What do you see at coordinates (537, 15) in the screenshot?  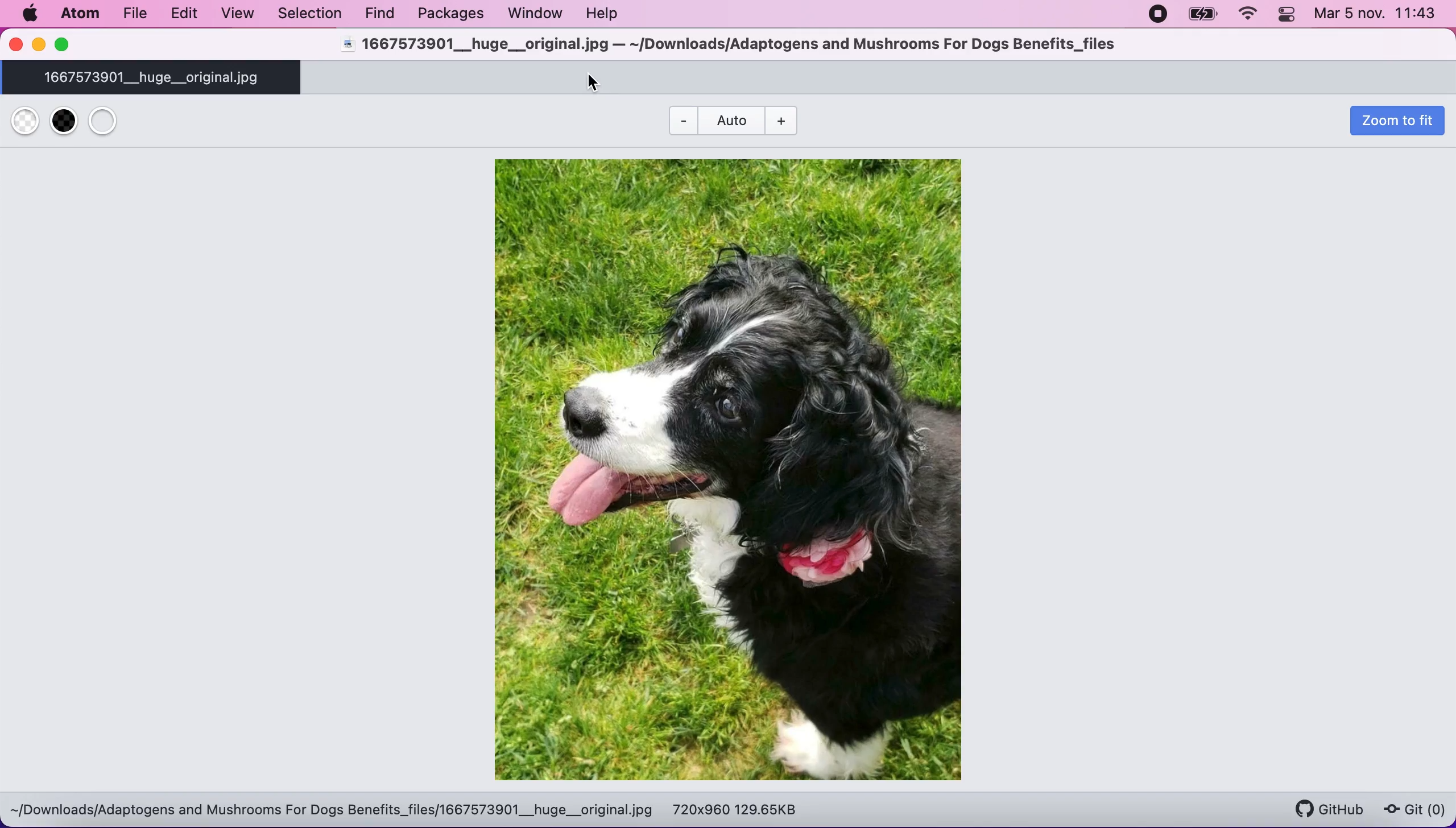 I see `window` at bounding box center [537, 15].